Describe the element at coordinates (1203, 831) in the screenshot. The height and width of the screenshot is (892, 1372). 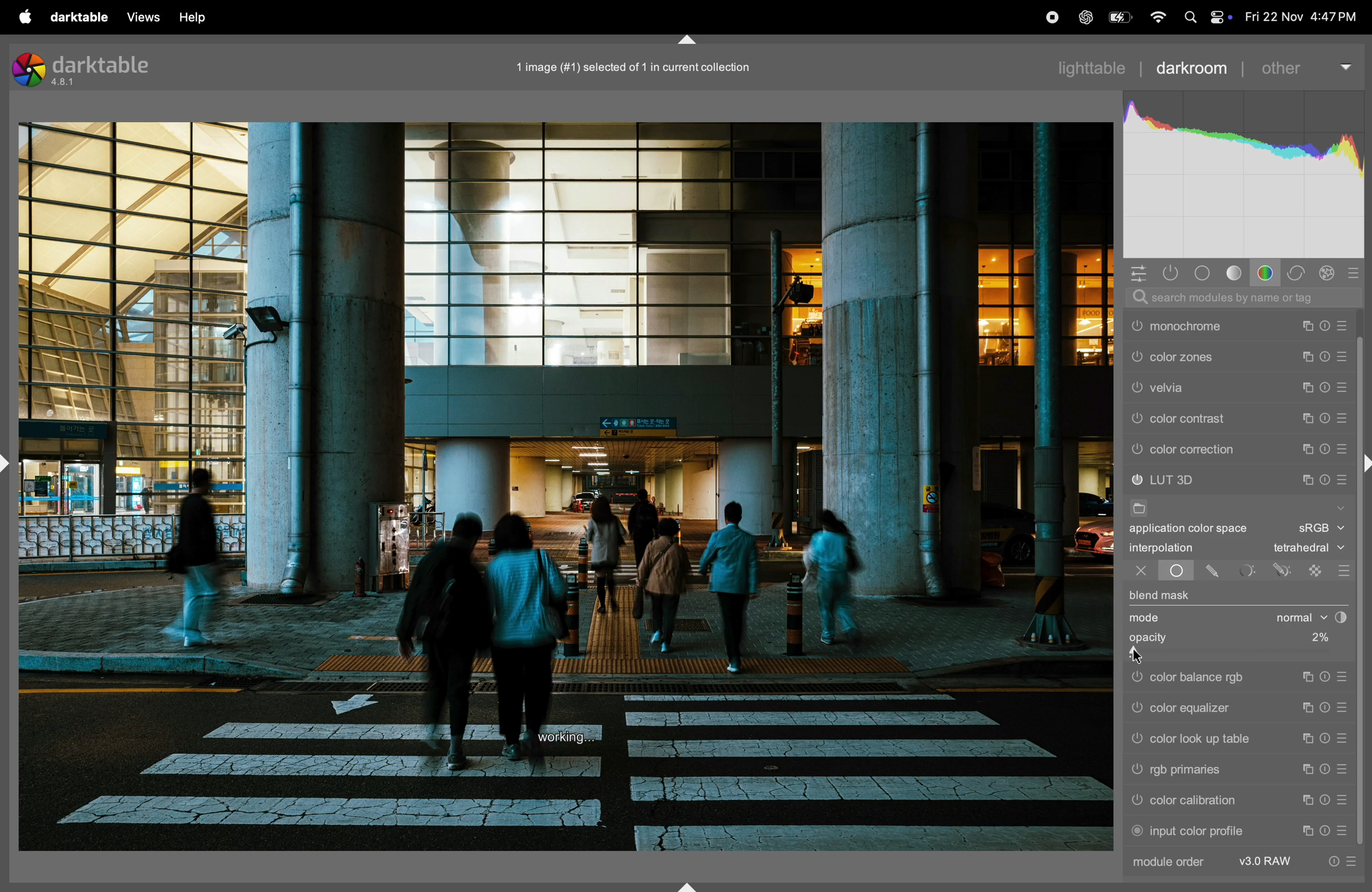
I see `input color profile` at that location.